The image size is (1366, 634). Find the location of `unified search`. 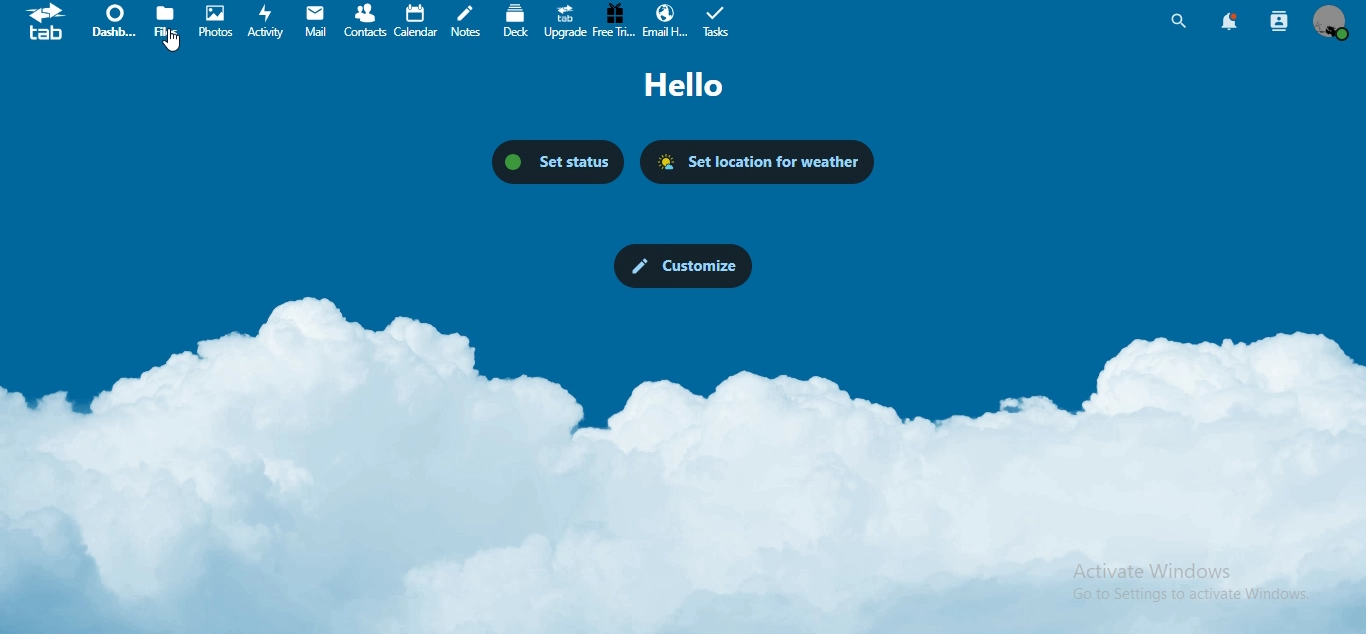

unified search is located at coordinates (1179, 20).